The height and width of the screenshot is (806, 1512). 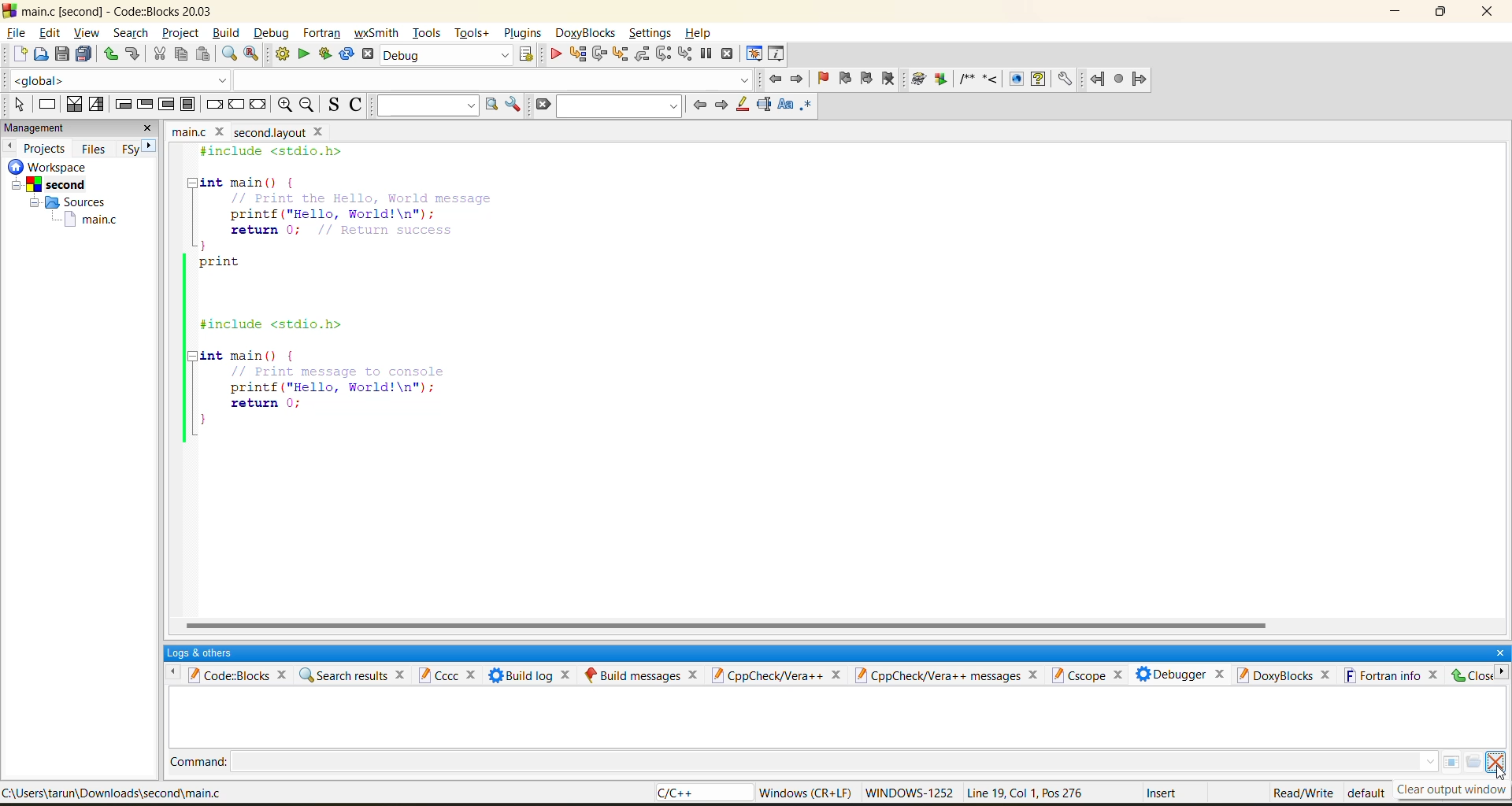 What do you see at coordinates (347, 55) in the screenshot?
I see `rebuild` at bounding box center [347, 55].